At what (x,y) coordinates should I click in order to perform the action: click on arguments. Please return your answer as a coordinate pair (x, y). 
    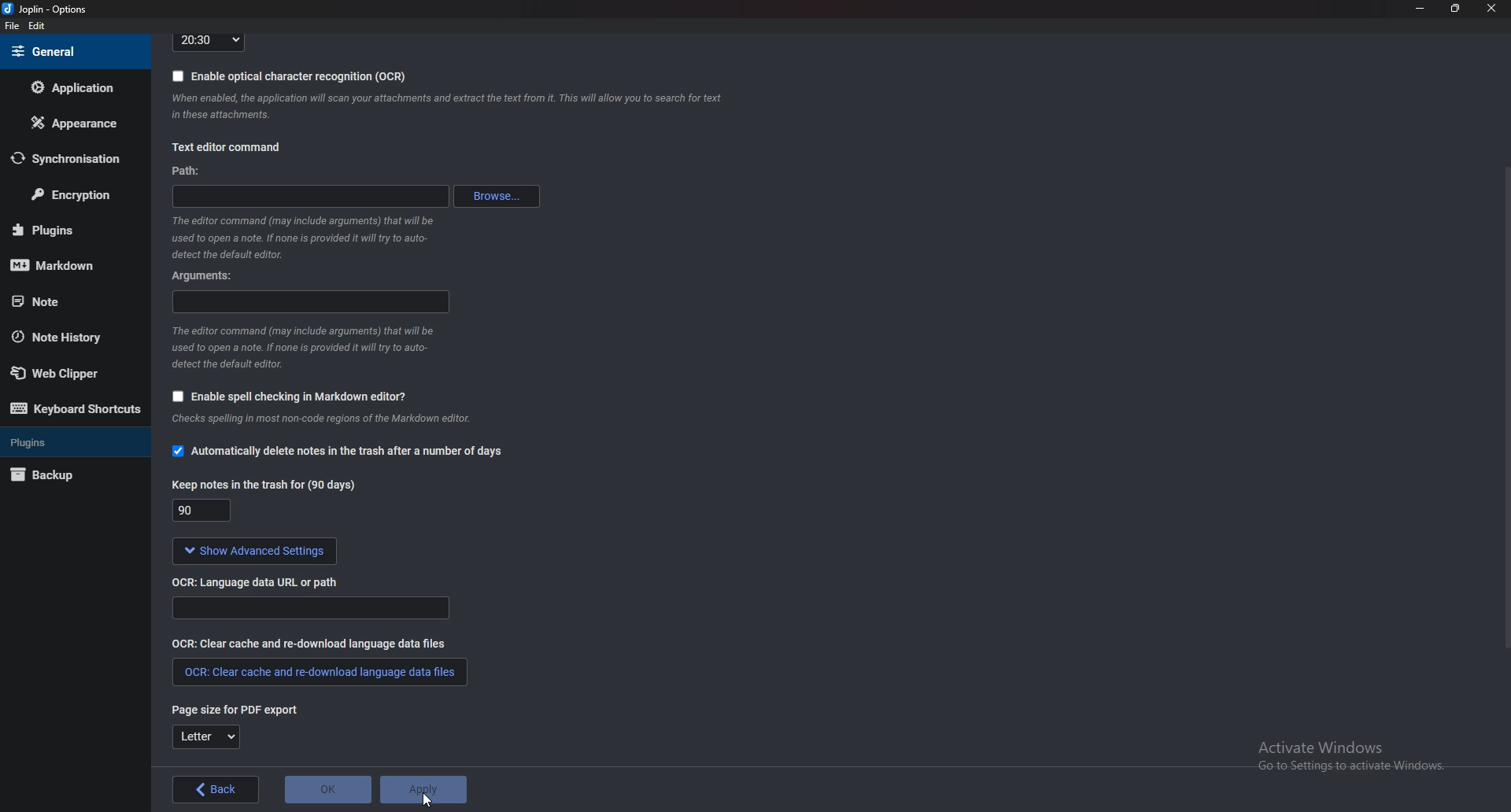
    Looking at the image, I should click on (313, 302).